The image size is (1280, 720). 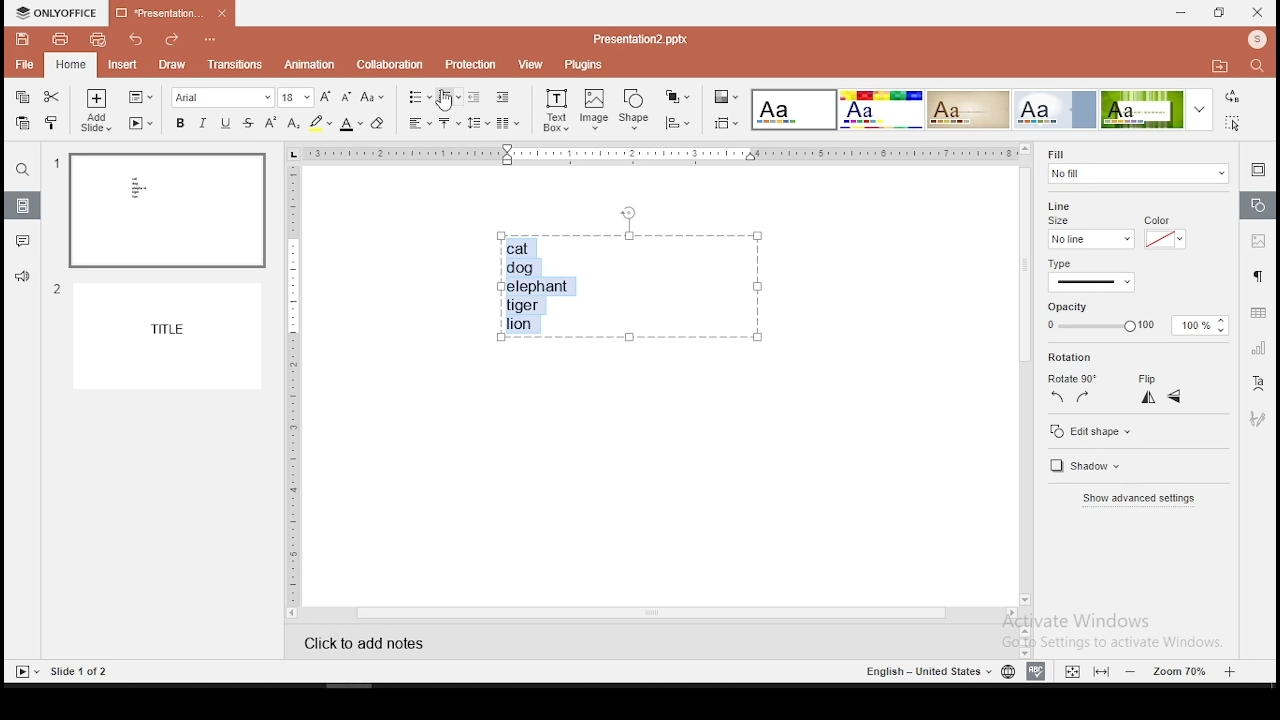 I want to click on change case, so click(x=373, y=97).